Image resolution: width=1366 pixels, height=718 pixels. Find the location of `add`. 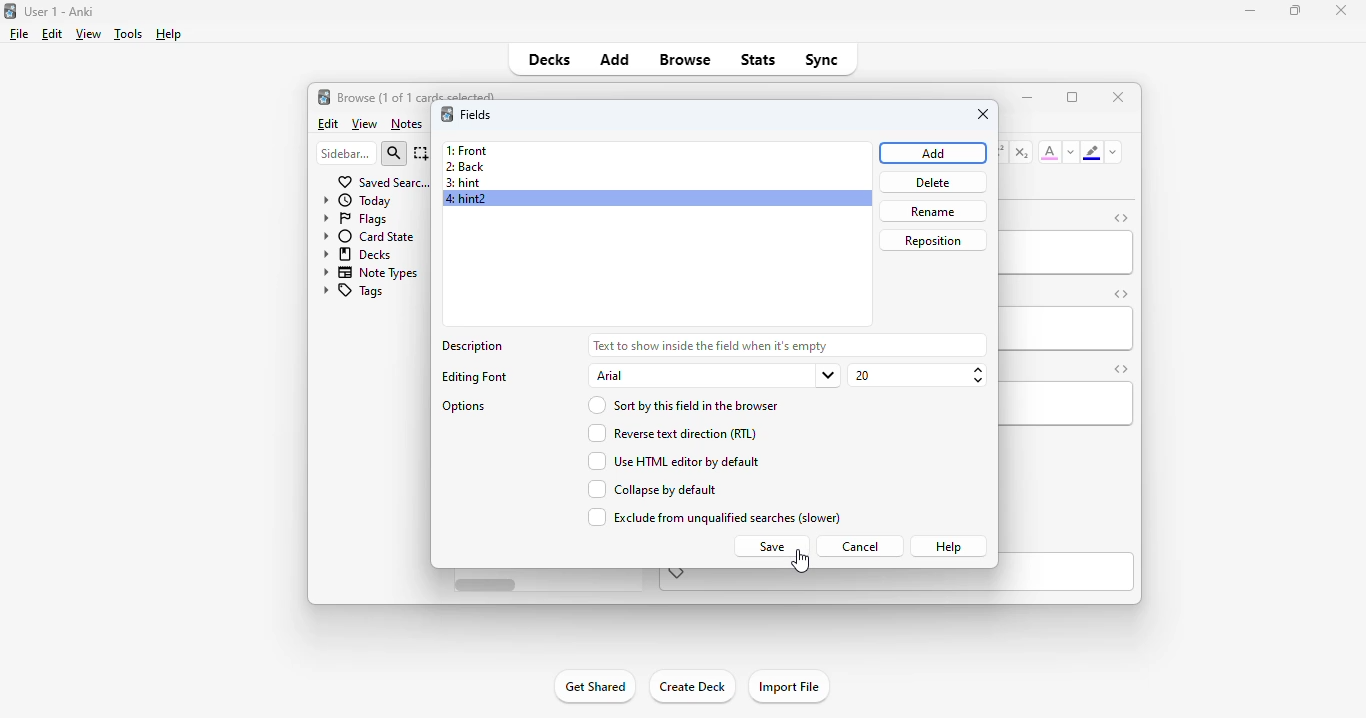

add is located at coordinates (935, 153).